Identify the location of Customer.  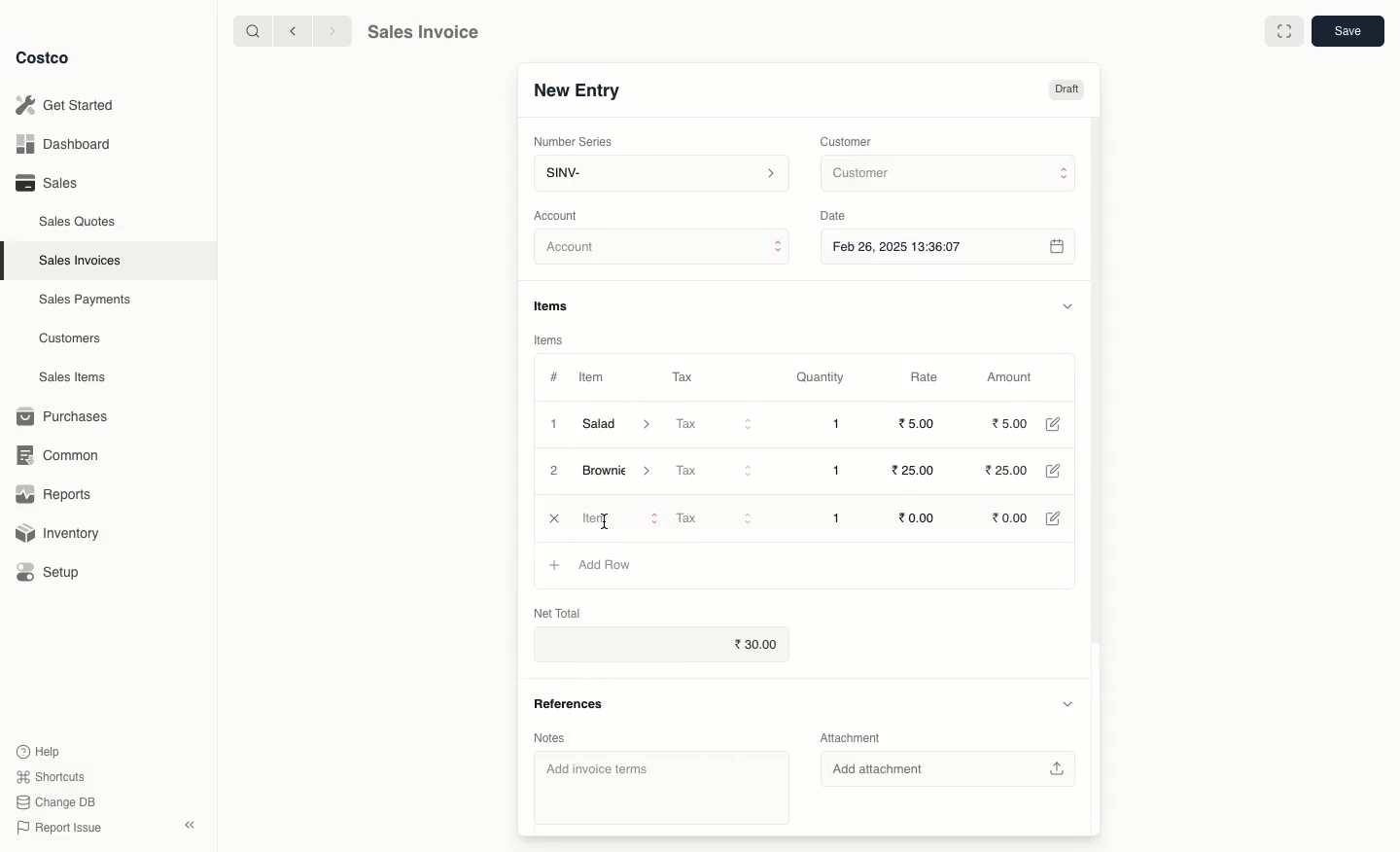
(946, 174).